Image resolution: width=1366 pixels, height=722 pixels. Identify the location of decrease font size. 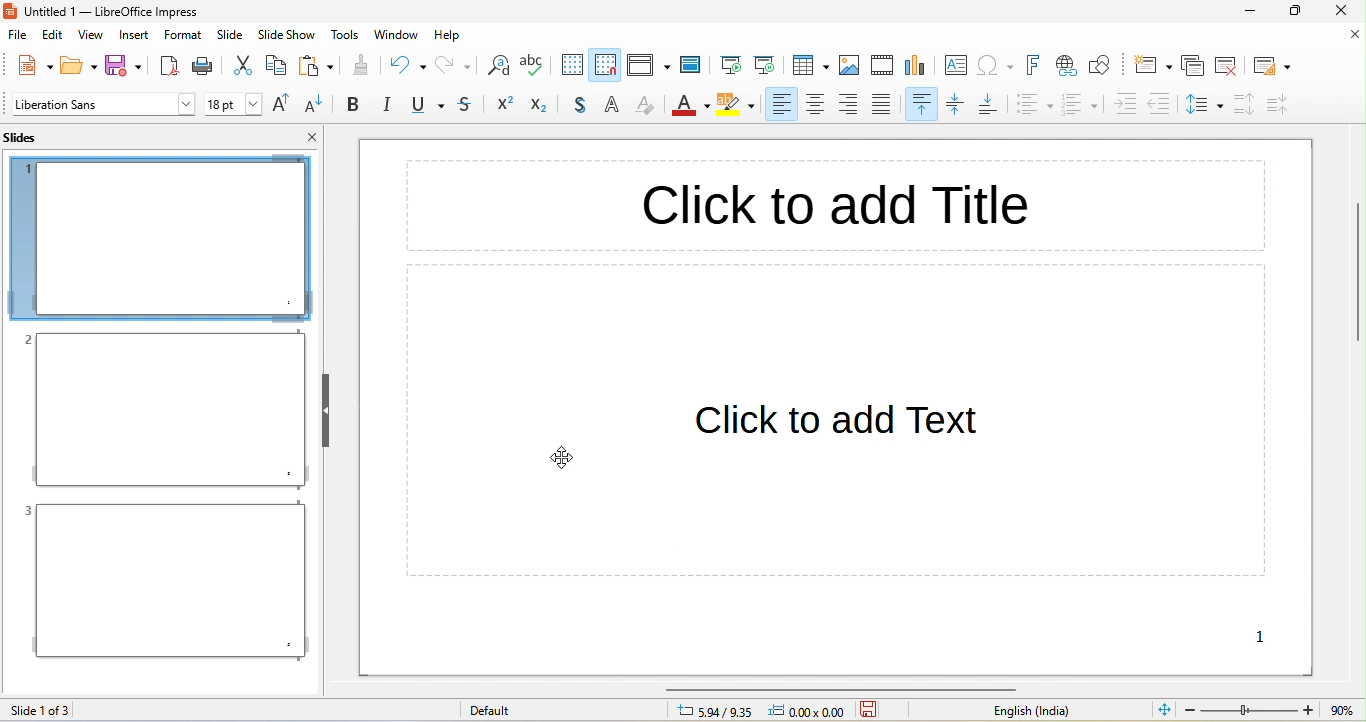
(317, 105).